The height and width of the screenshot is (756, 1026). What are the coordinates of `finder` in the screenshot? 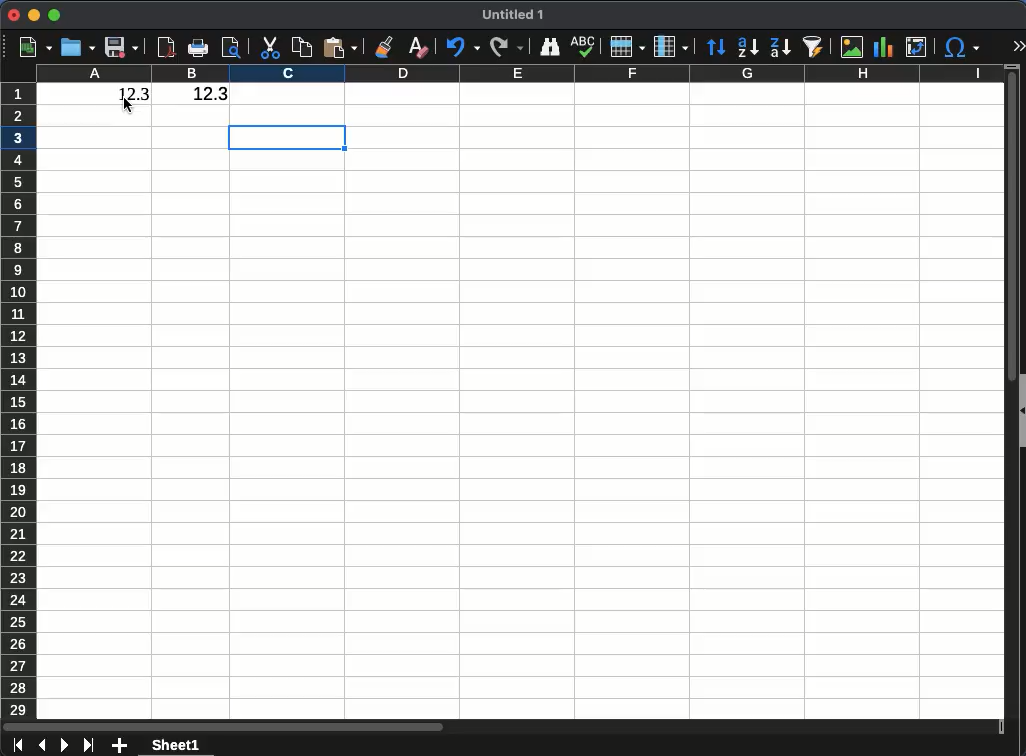 It's located at (549, 47).